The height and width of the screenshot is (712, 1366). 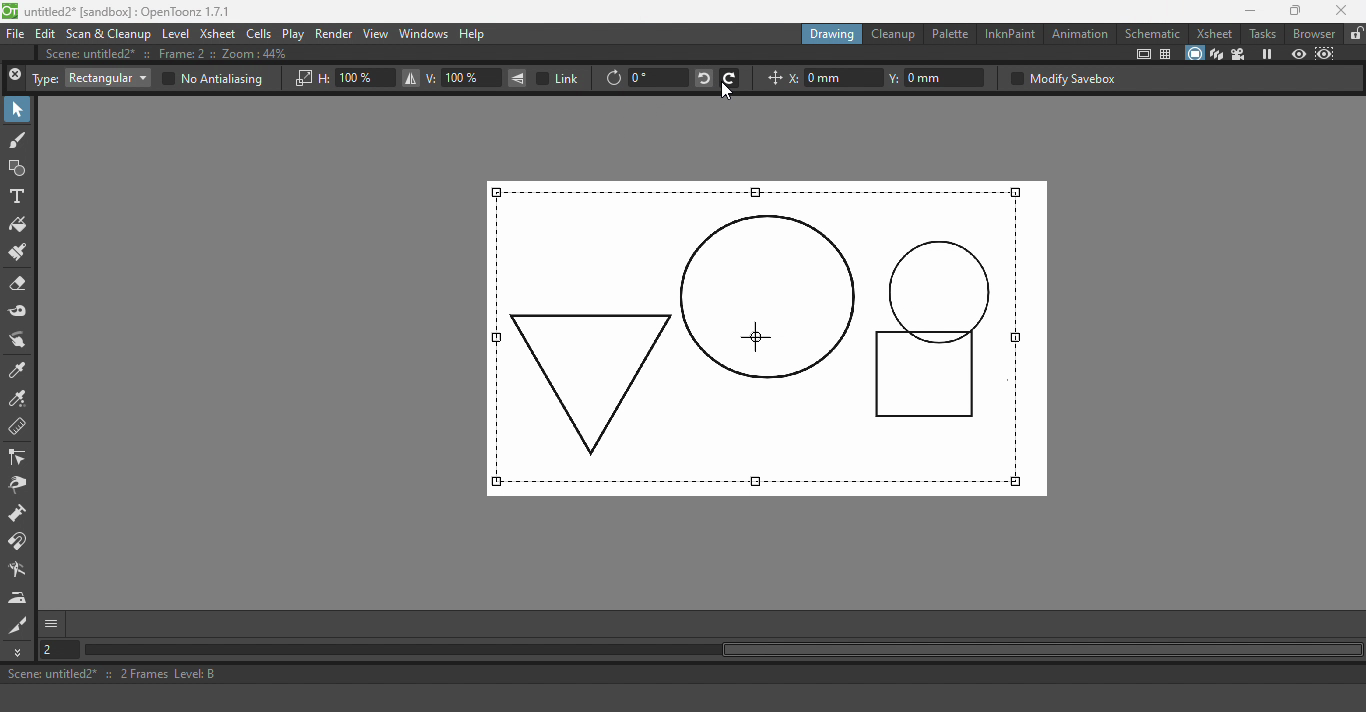 I want to click on Freeze, so click(x=1268, y=53).